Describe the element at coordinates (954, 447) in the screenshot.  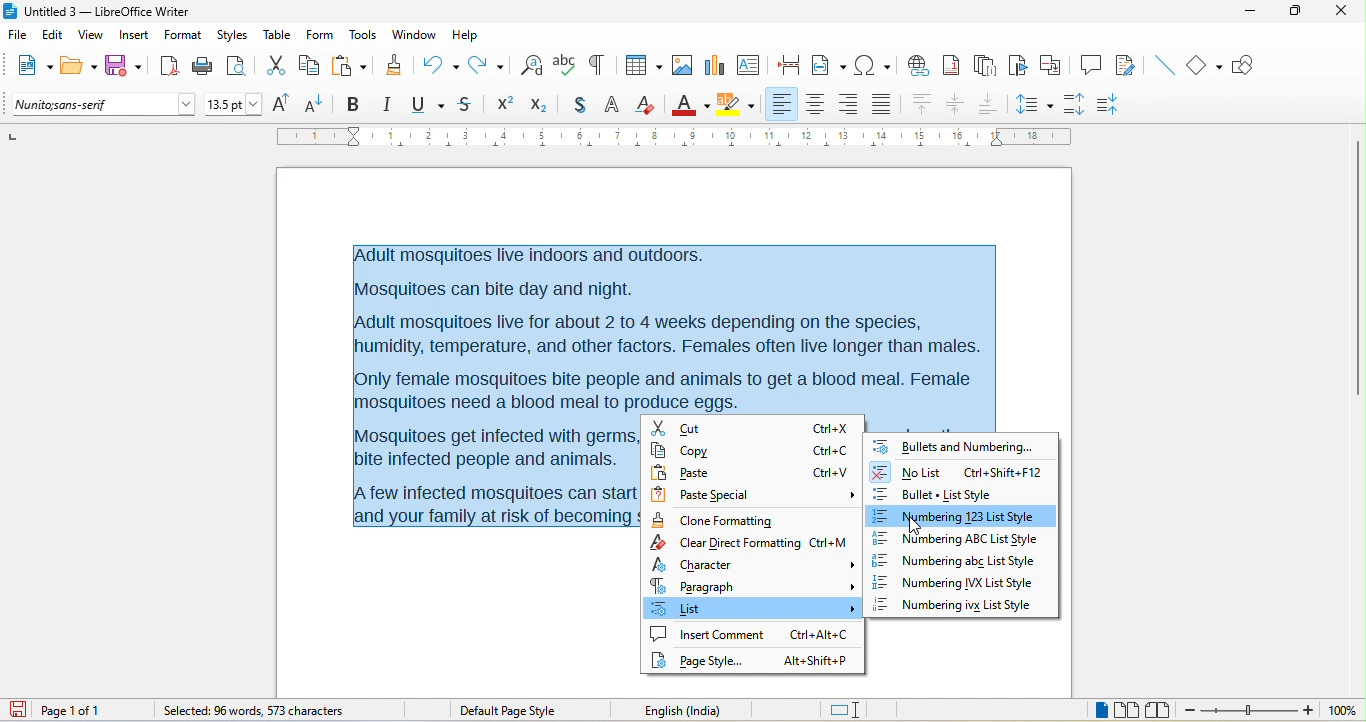
I see `bullets and numbering` at that location.